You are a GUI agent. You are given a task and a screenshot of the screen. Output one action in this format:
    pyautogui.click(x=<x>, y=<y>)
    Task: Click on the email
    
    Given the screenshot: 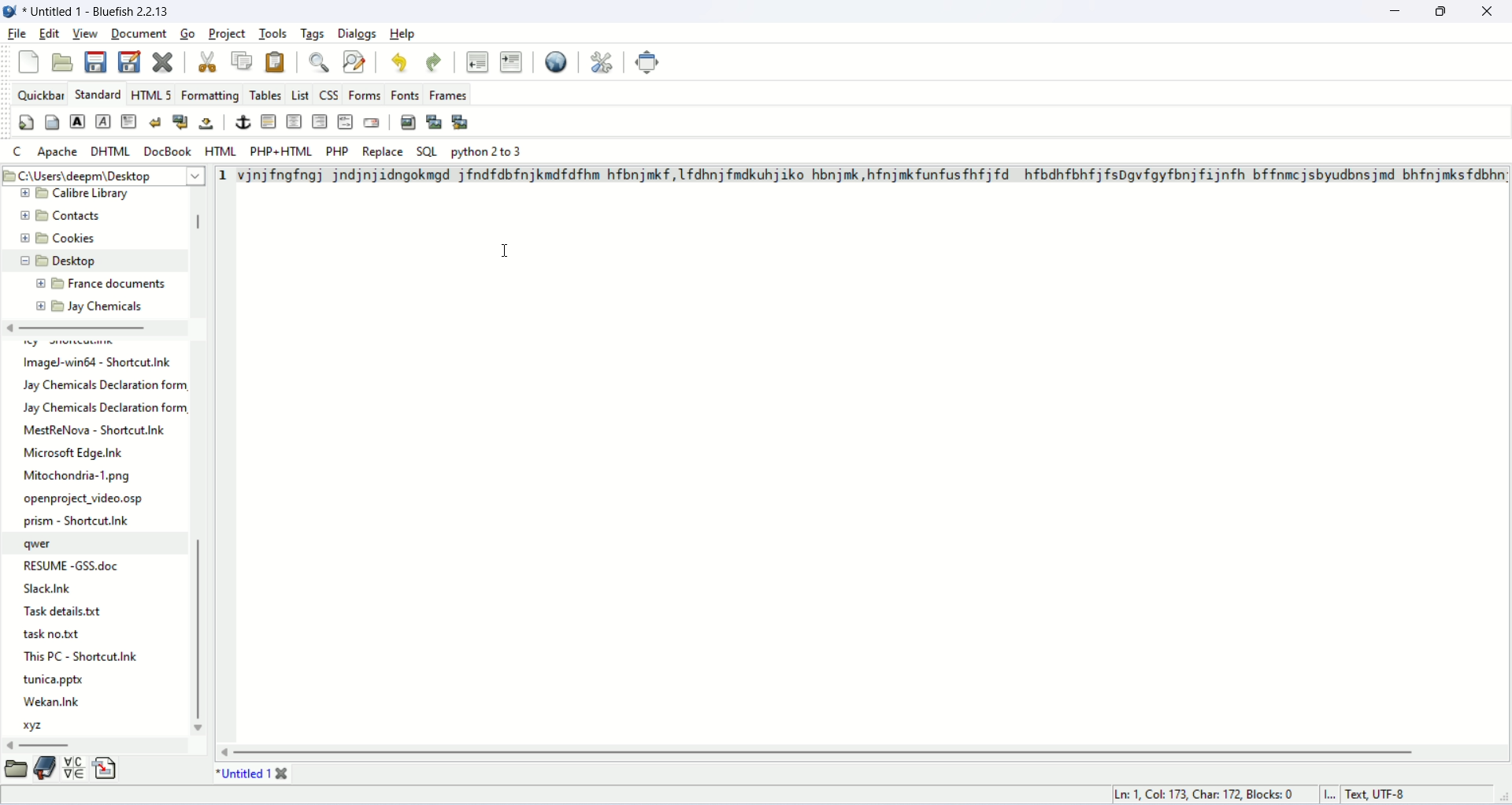 What is the action you would take?
    pyautogui.click(x=371, y=122)
    